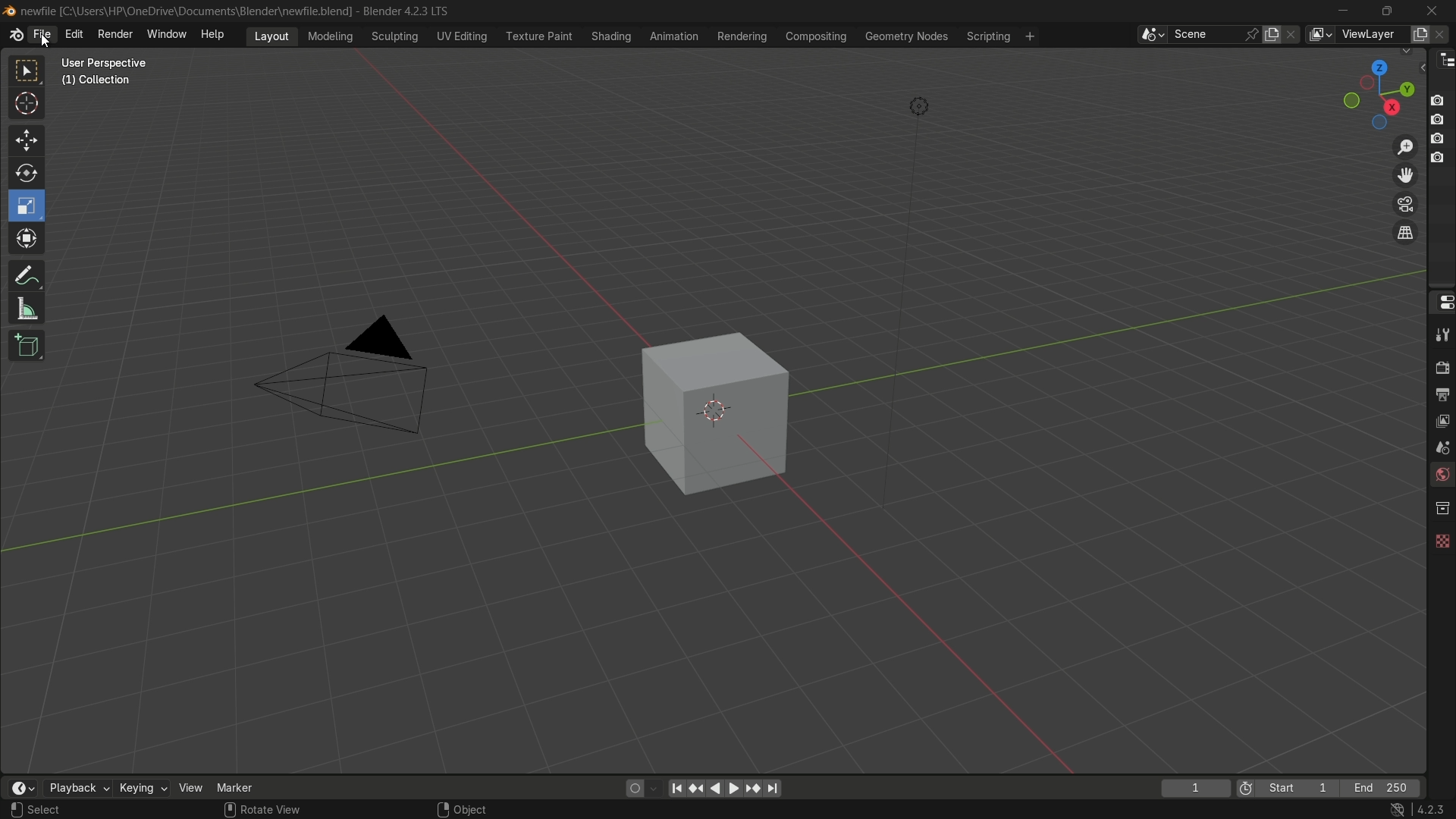 Image resolution: width=1456 pixels, height=819 pixels. Describe the element at coordinates (1152, 35) in the screenshot. I see `browse scenes` at that location.